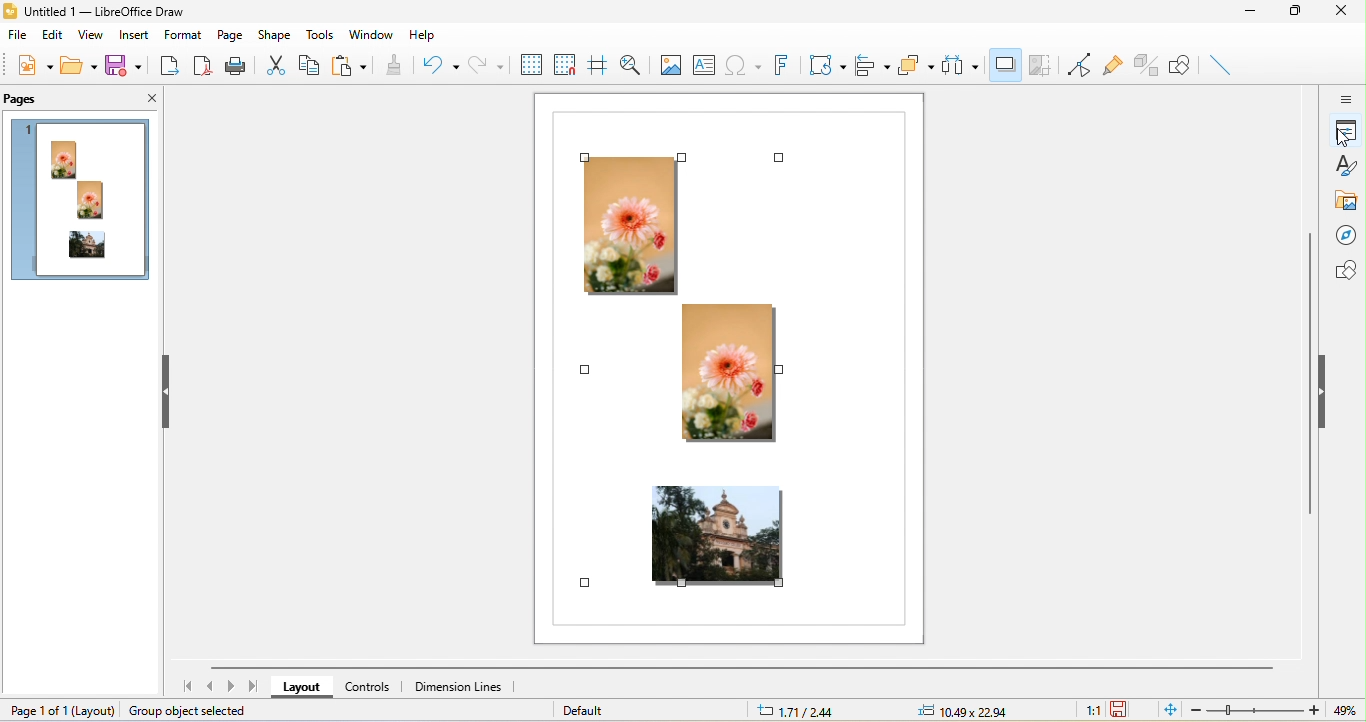 The height and width of the screenshot is (722, 1366). Describe the element at coordinates (669, 64) in the screenshot. I see `image` at that location.